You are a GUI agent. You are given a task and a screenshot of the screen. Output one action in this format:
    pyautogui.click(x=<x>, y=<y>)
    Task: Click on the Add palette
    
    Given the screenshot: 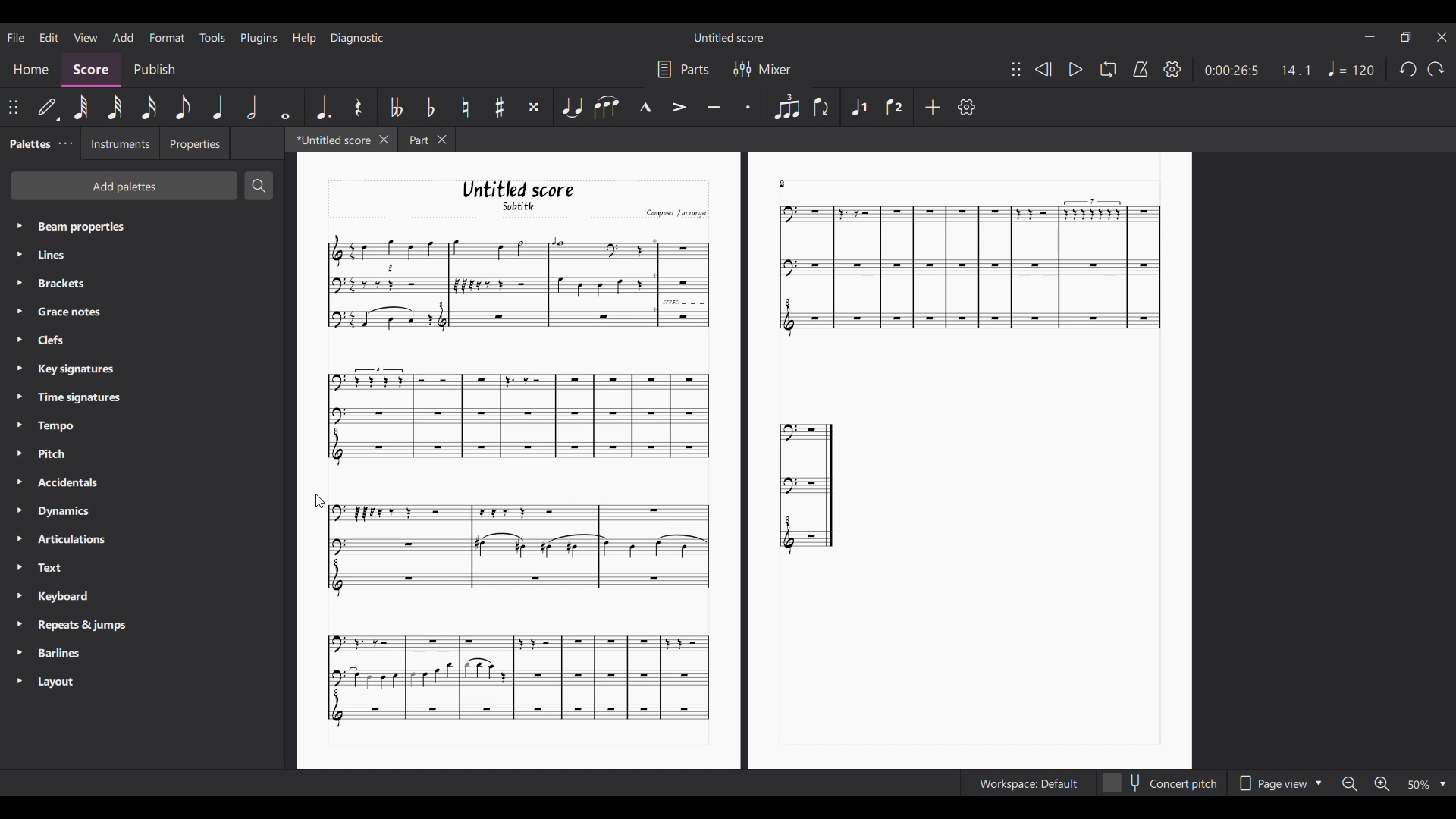 What is the action you would take?
    pyautogui.click(x=124, y=186)
    